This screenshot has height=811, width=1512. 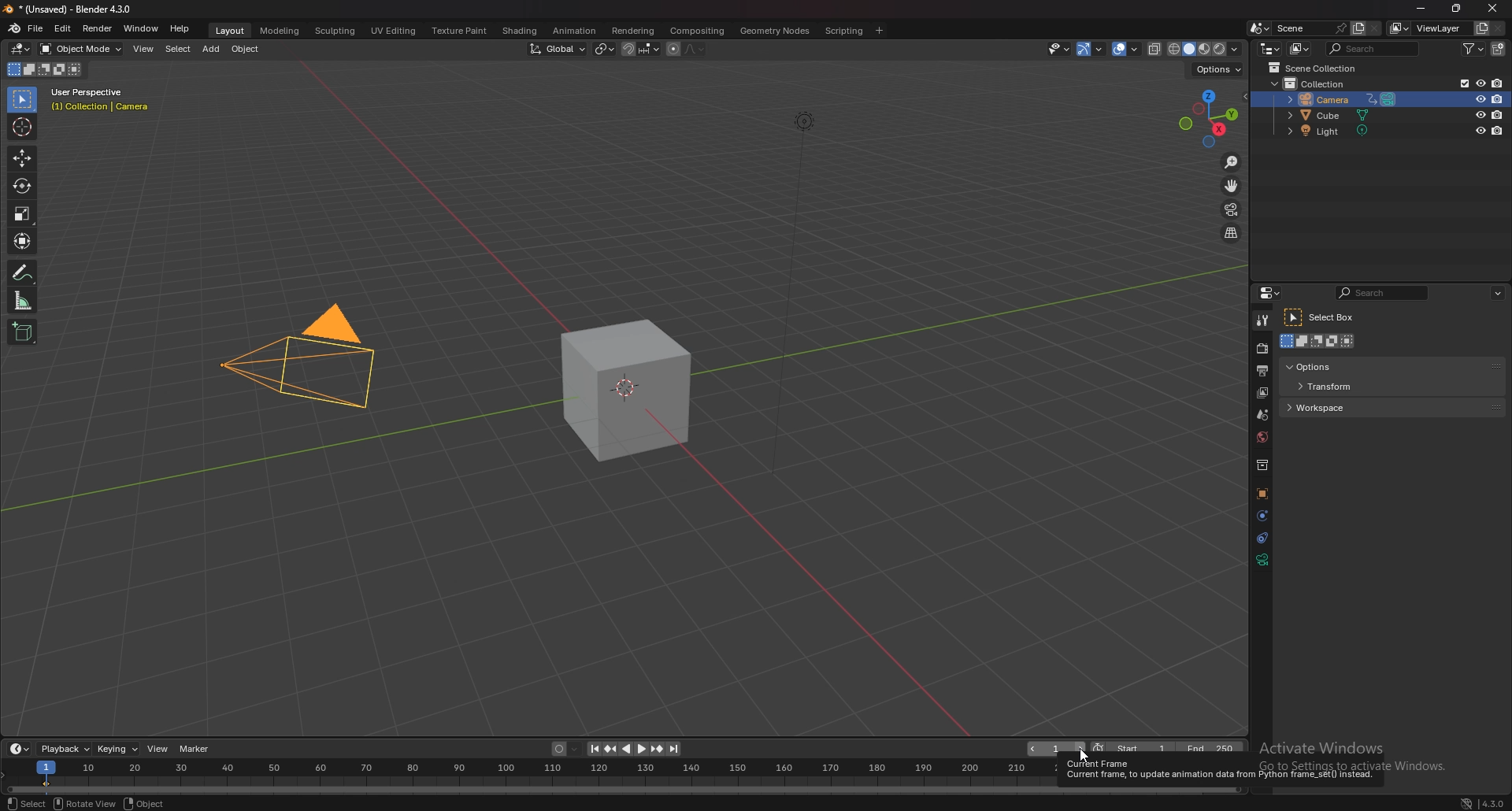 I want to click on cube, so click(x=624, y=391).